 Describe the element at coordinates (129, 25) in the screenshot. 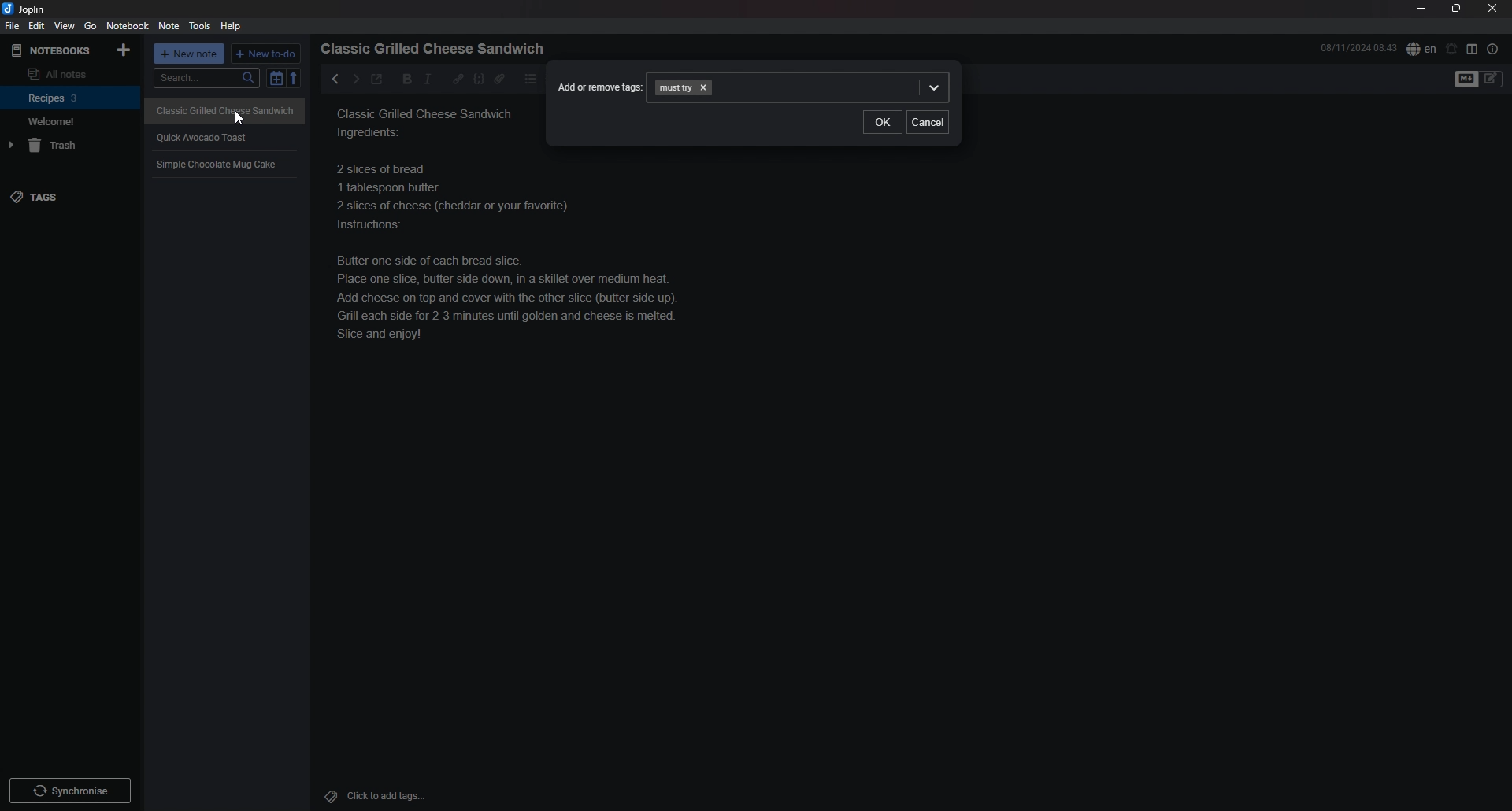

I see `notebook` at that location.